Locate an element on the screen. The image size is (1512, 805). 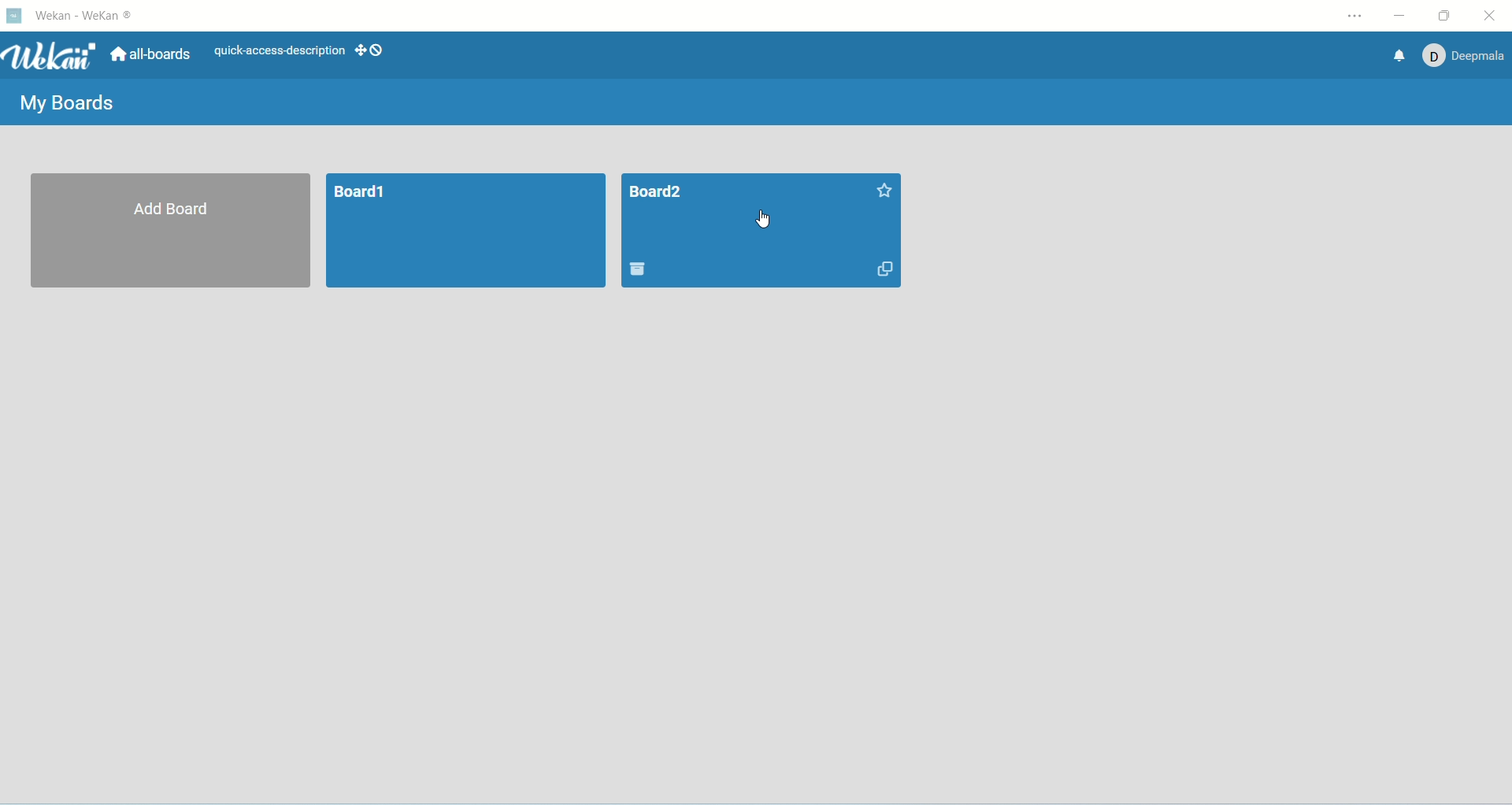
title is located at coordinates (658, 192).